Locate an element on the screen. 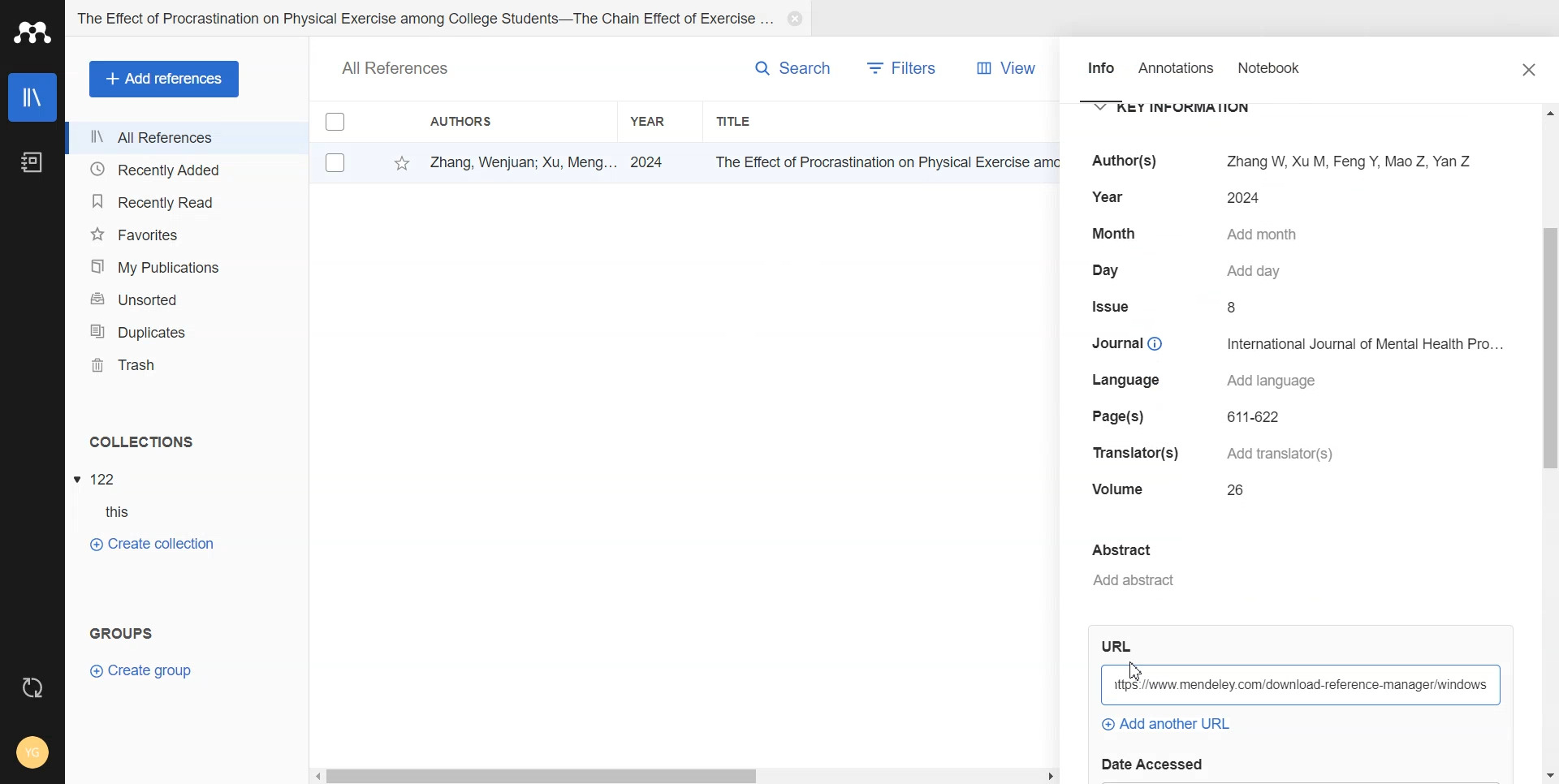 This screenshot has height=784, width=1559. Issue 8 is located at coordinates (1170, 308).